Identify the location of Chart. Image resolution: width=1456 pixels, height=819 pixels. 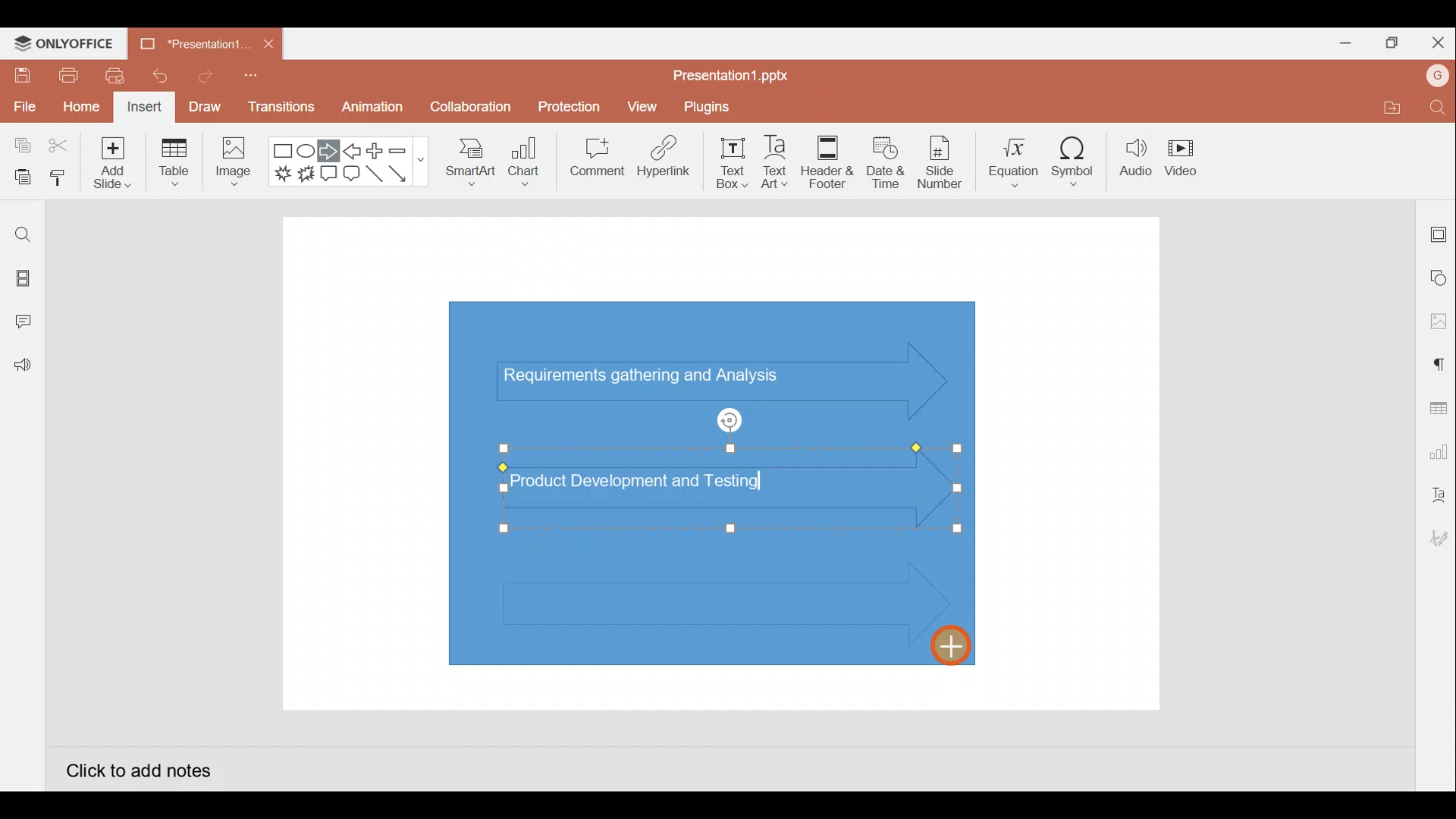
(525, 160).